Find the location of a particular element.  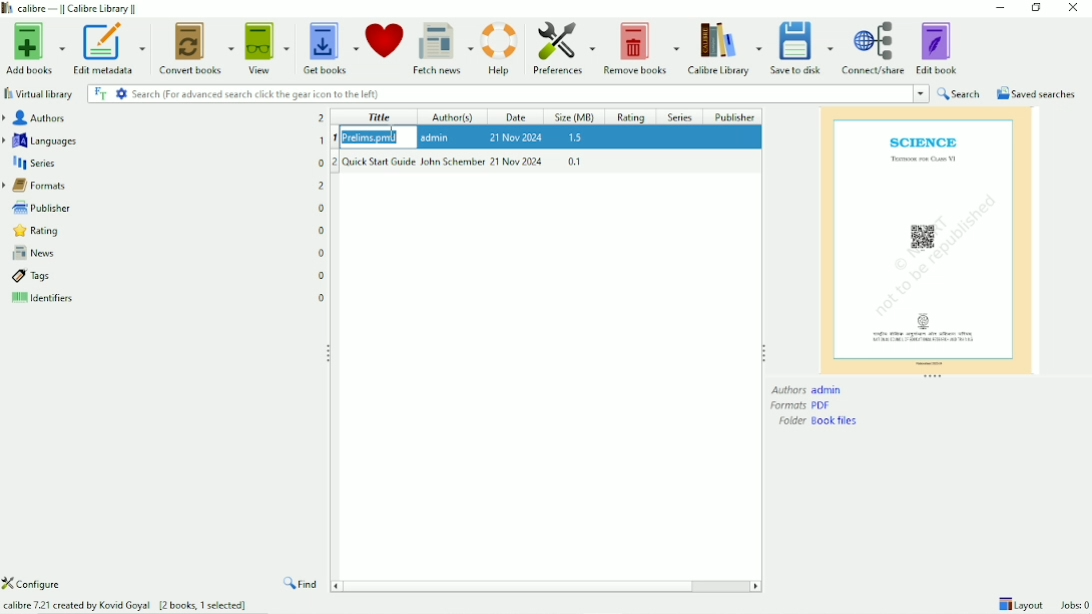

Save to disk is located at coordinates (802, 48).